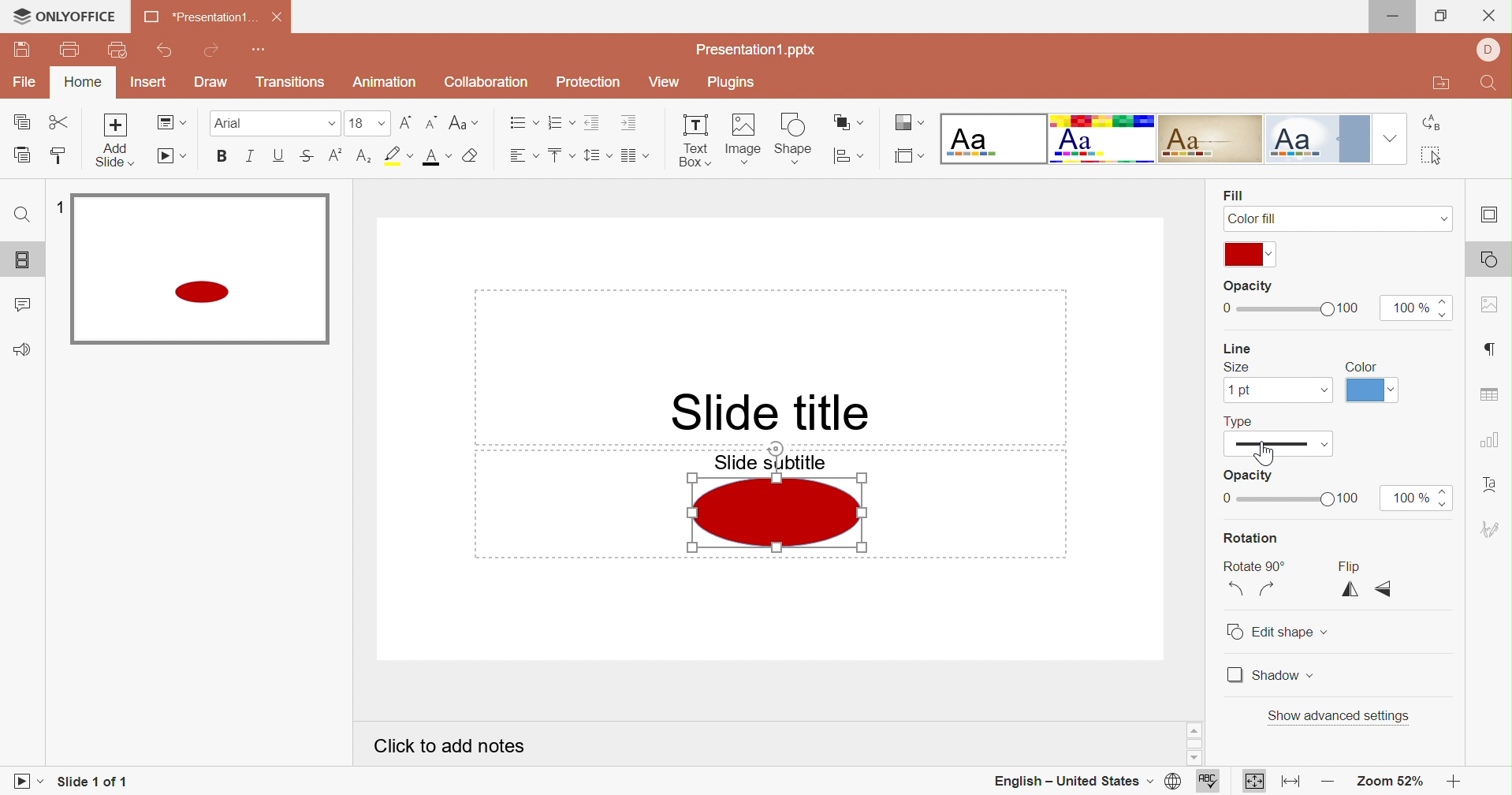 The width and height of the screenshot is (1512, 795). I want to click on Basic, so click(1103, 140).